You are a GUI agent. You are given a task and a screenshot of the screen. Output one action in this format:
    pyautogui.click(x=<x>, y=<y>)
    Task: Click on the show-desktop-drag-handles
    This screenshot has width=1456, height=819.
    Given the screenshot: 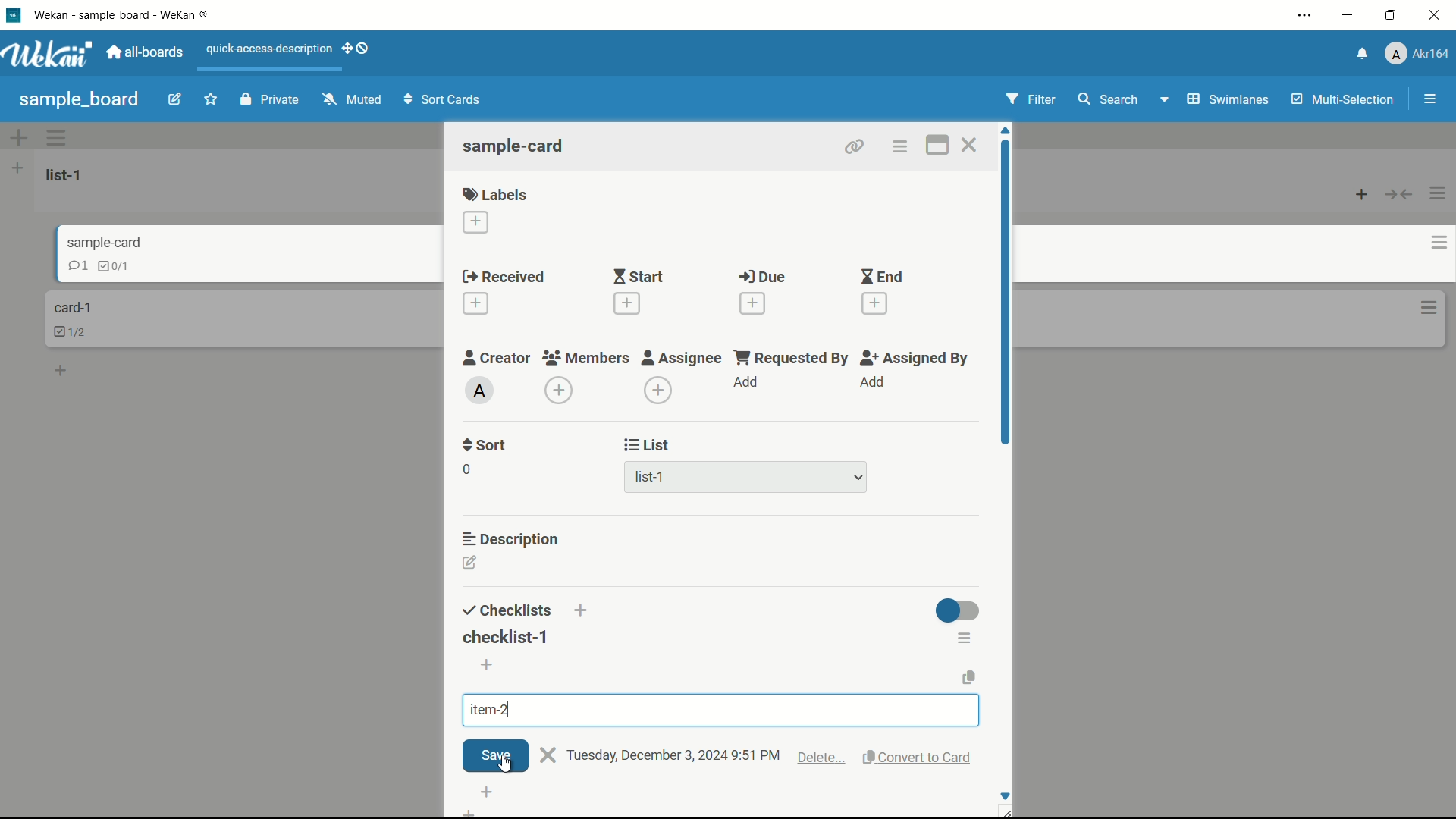 What is the action you would take?
    pyautogui.click(x=356, y=49)
    